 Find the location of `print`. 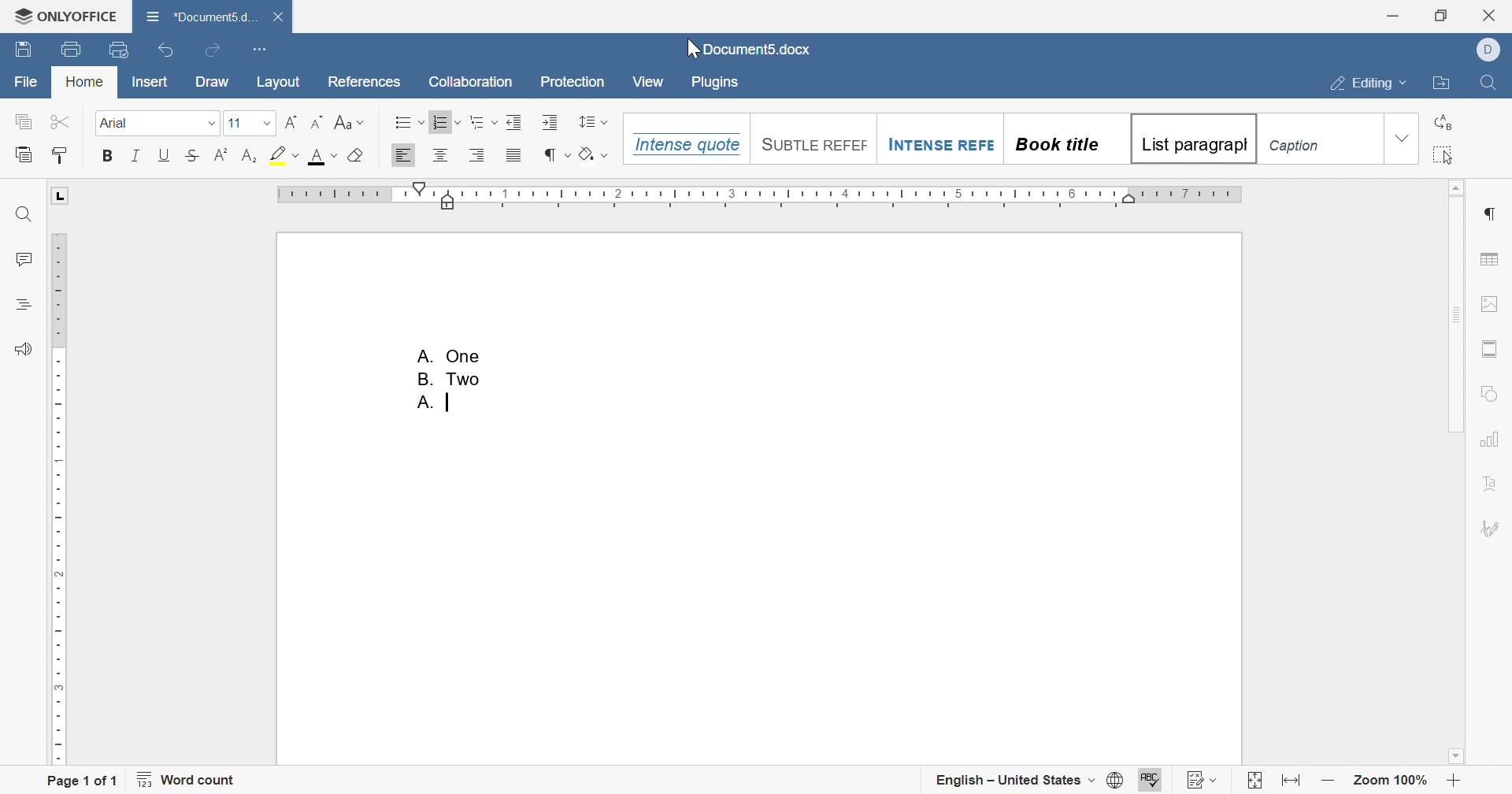

print is located at coordinates (73, 47).